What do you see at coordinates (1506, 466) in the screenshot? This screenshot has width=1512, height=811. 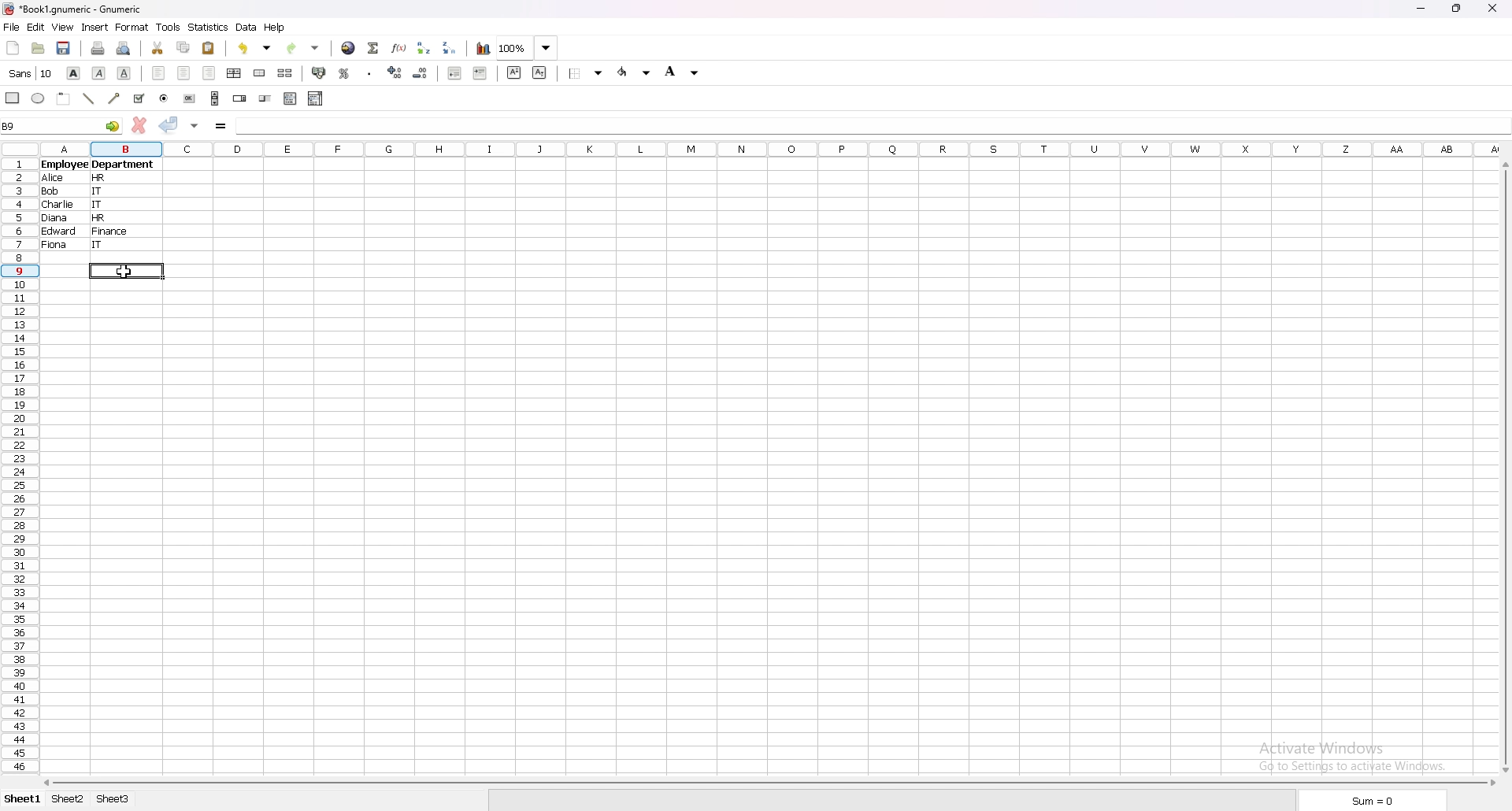 I see `scroll bar` at bounding box center [1506, 466].